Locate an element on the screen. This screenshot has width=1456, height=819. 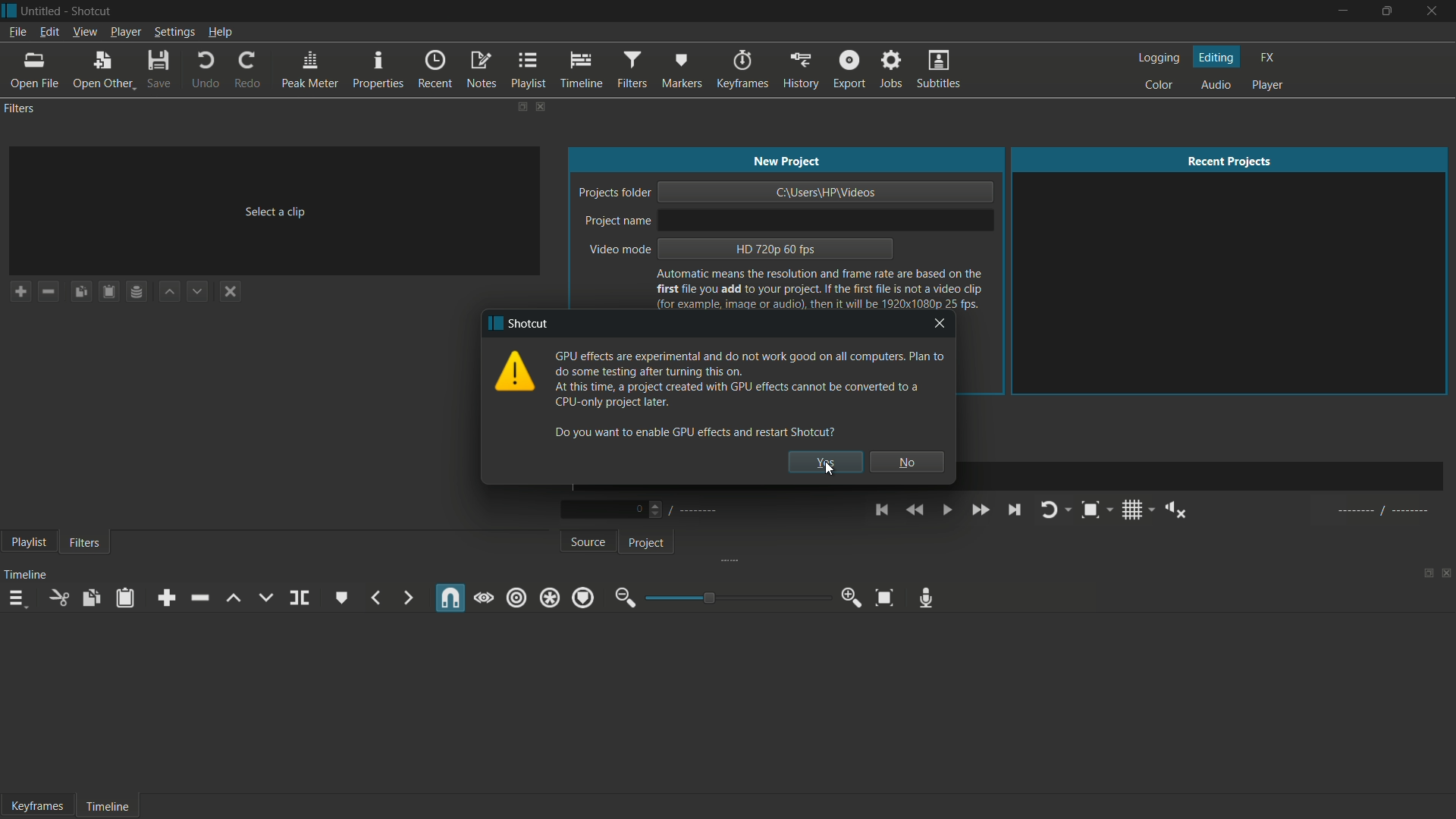
al is located at coordinates (1368, 512).